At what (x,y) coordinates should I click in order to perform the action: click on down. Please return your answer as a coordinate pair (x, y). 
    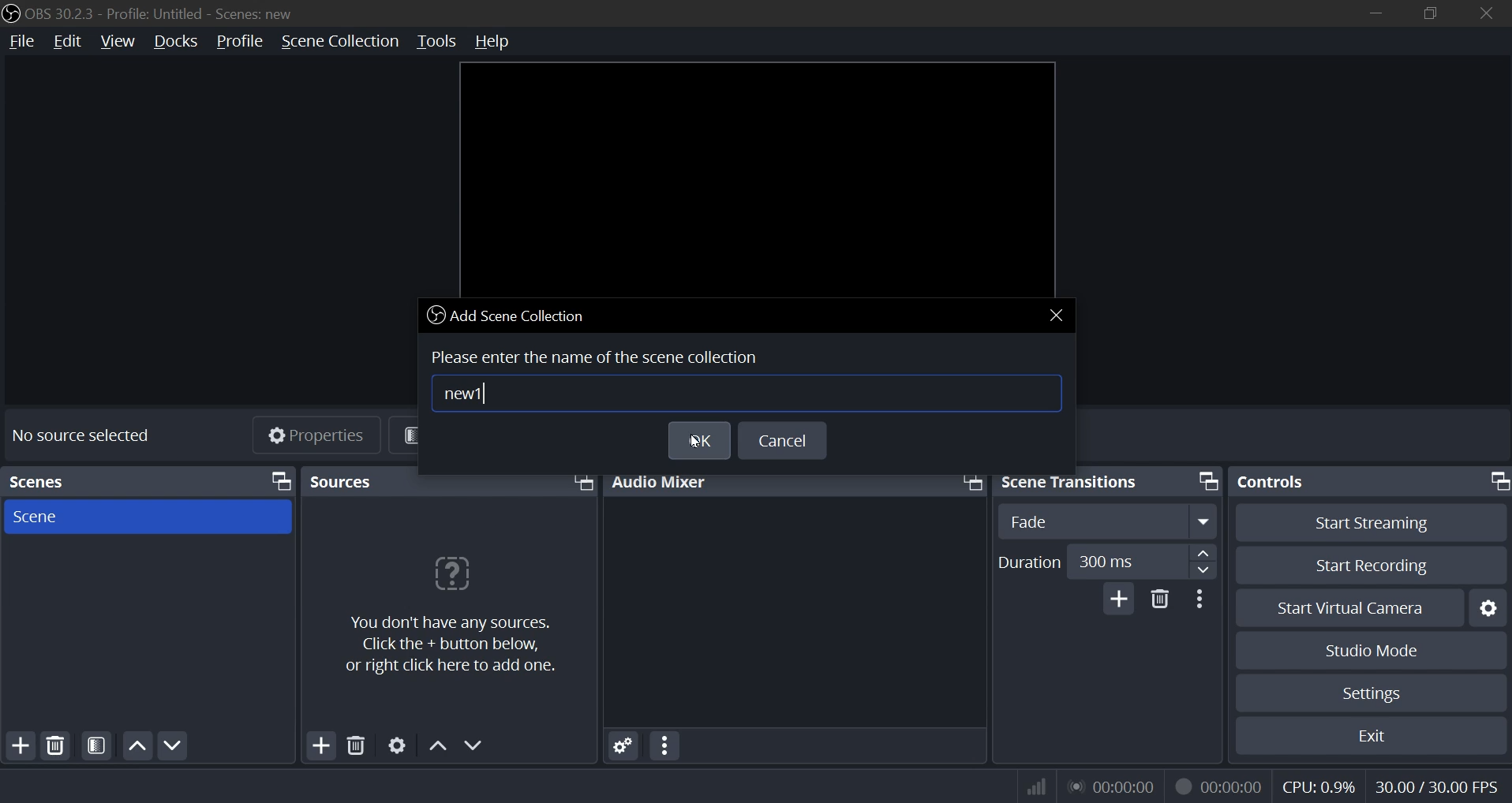
    Looking at the image, I should click on (1201, 570).